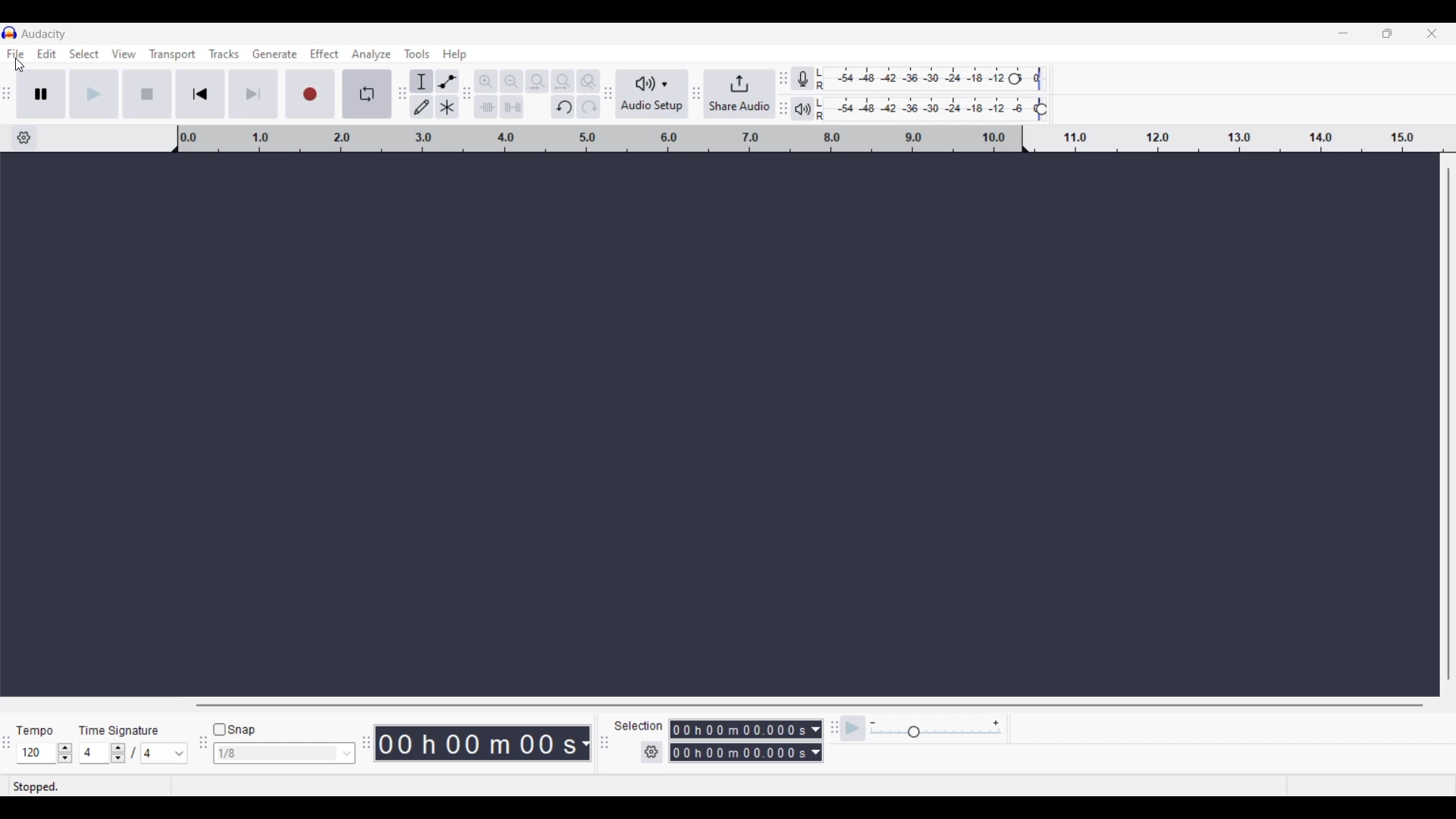 Image resolution: width=1456 pixels, height=819 pixels. I want to click on Tempo, so click(39, 726).